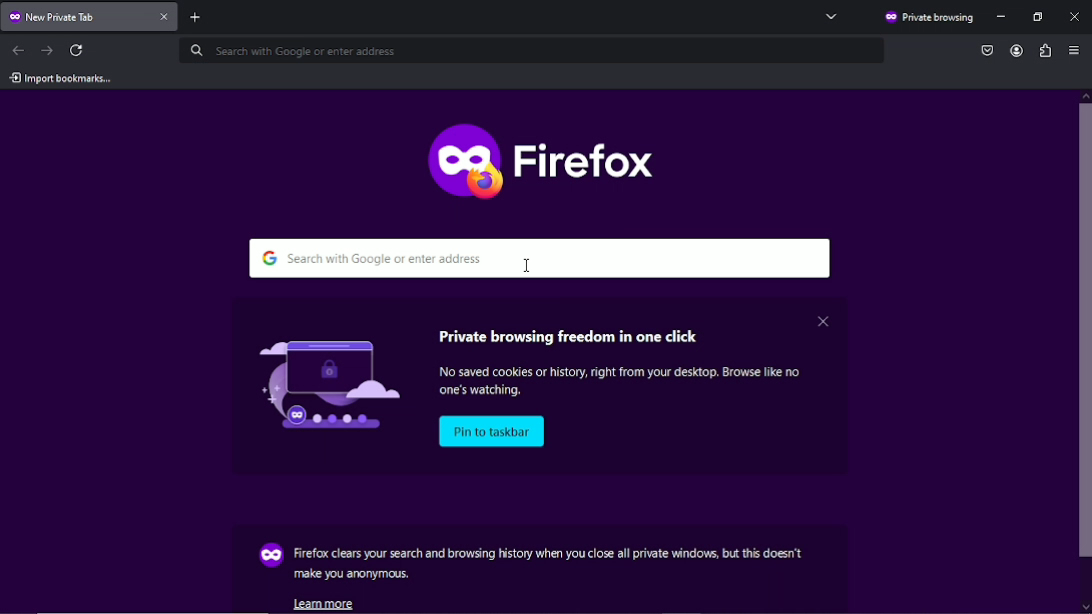 The width and height of the screenshot is (1092, 614). Describe the element at coordinates (628, 382) in the screenshot. I see `No saved cookies or history, right from your desktop. Browse like no one's watching.` at that location.